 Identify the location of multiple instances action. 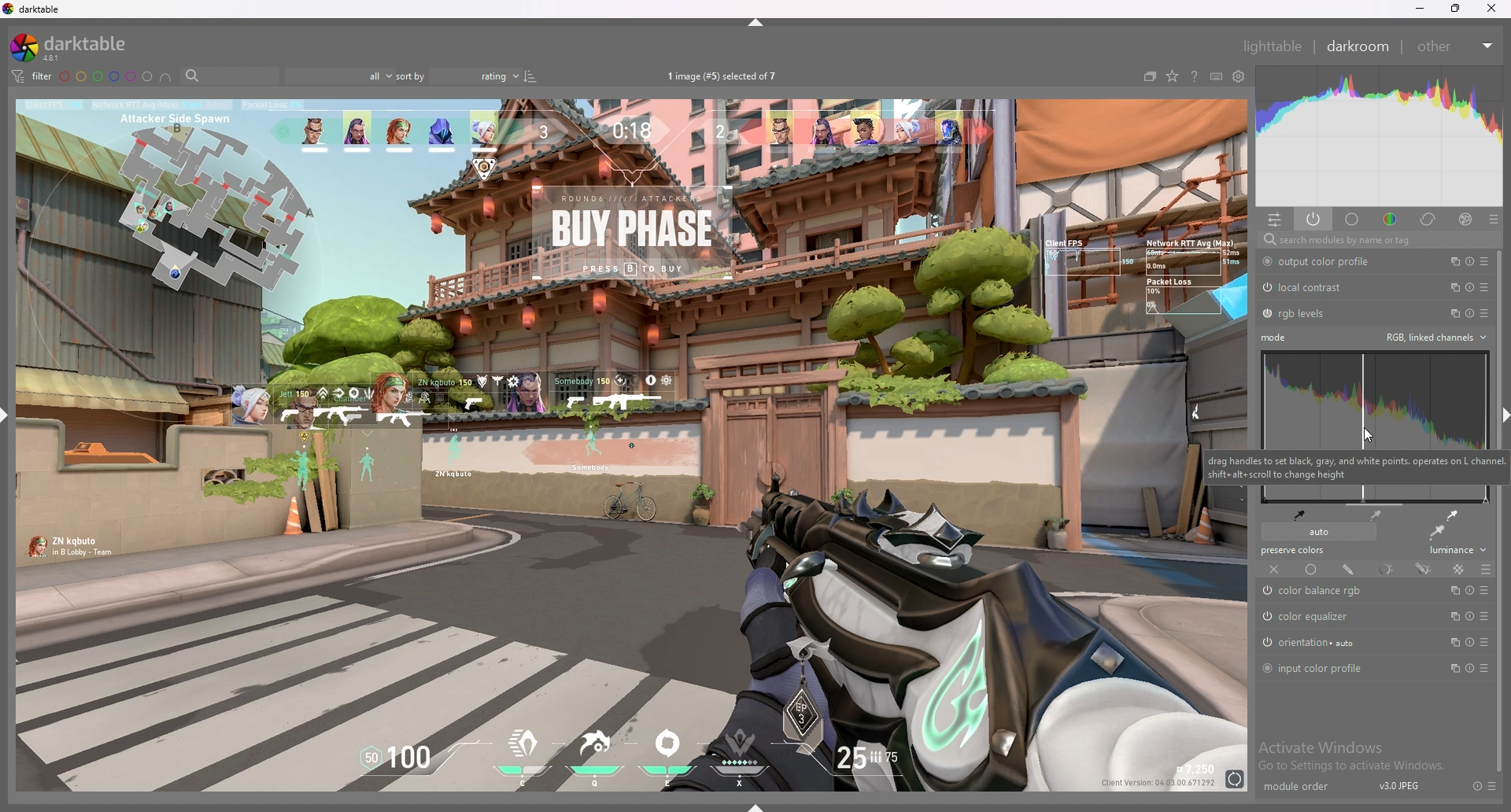
(1452, 312).